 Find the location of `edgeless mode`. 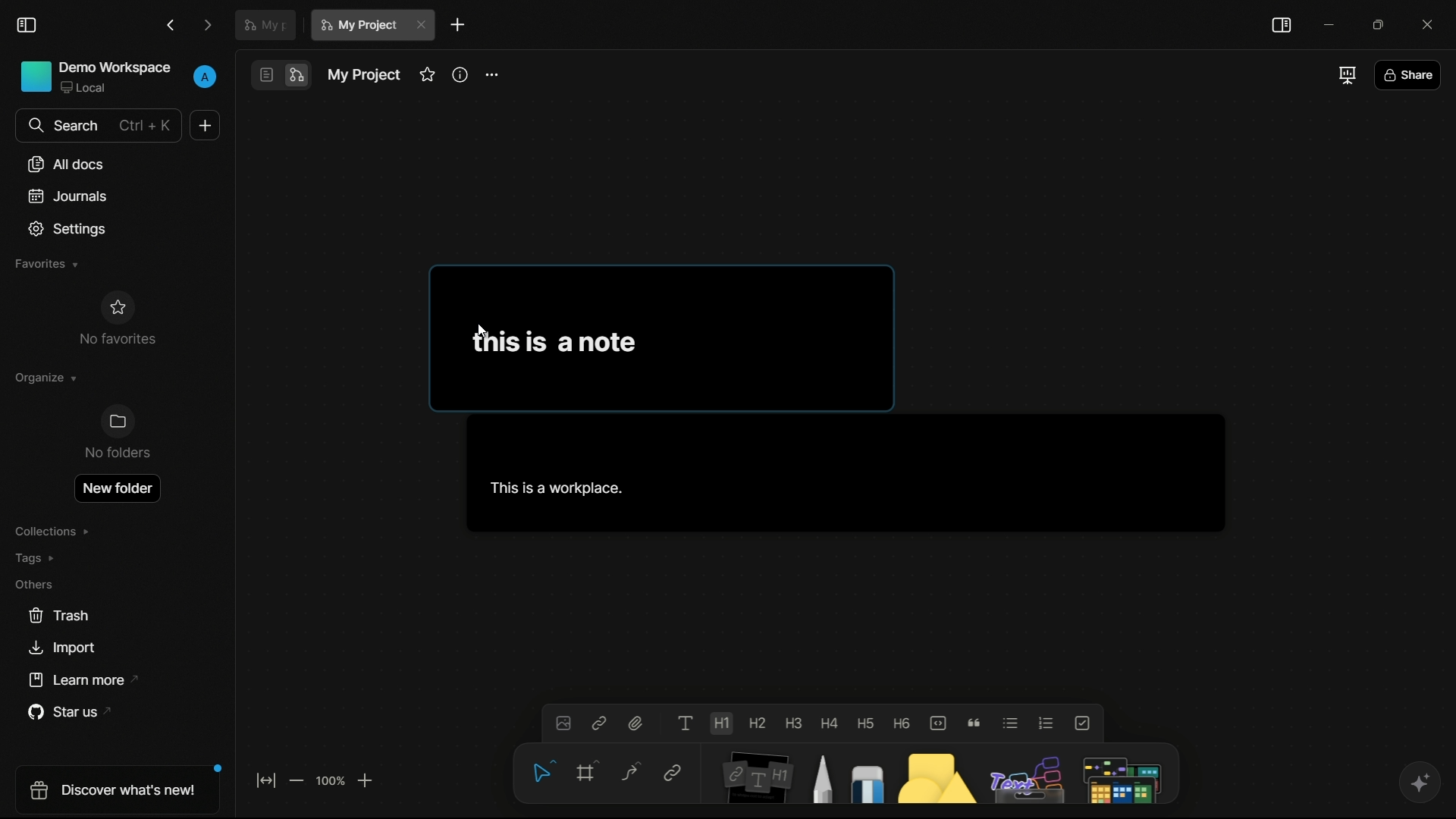

edgeless mode is located at coordinates (297, 76).